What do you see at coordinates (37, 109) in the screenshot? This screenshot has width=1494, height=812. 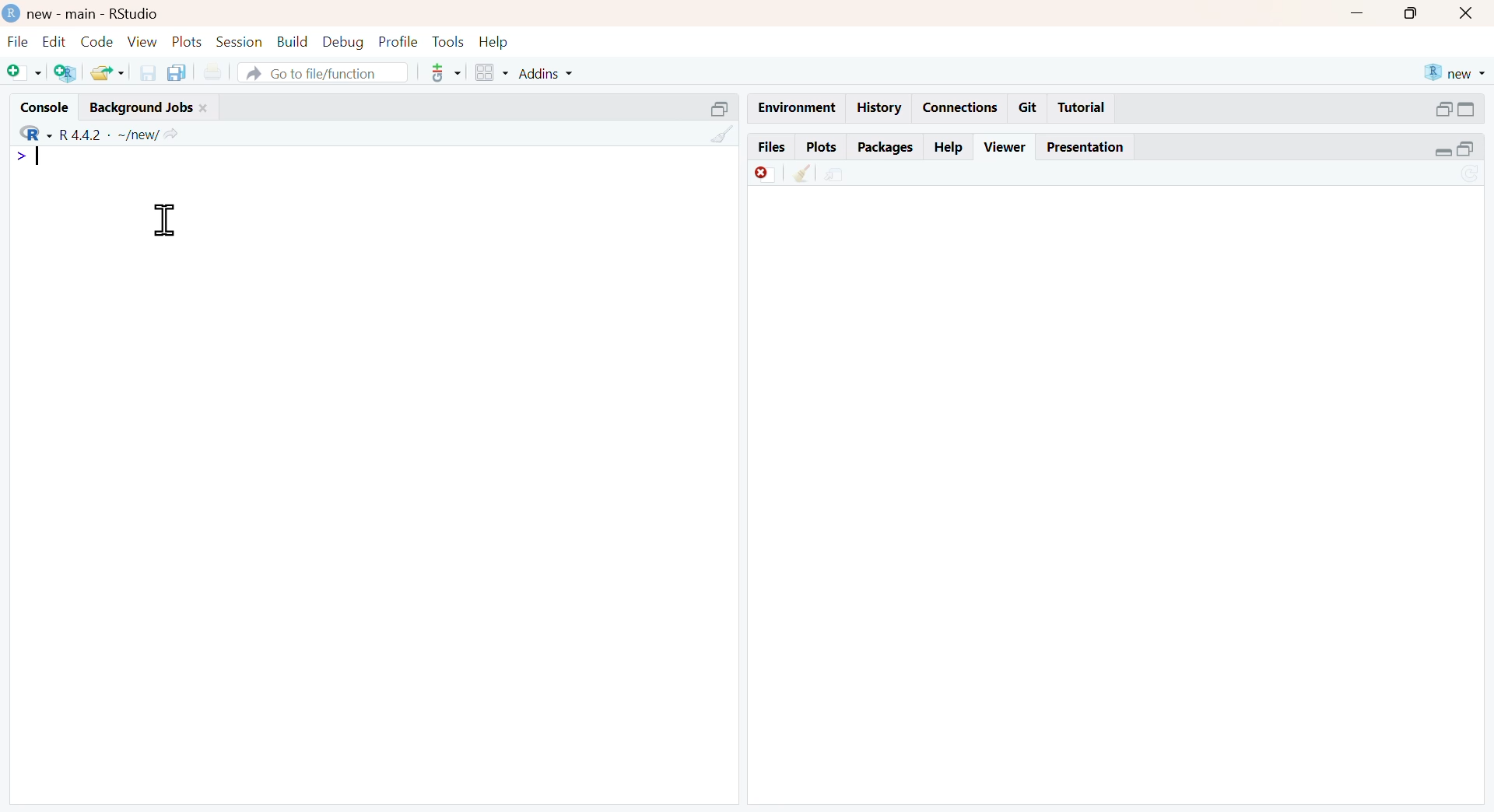 I see `Console` at bounding box center [37, 109].